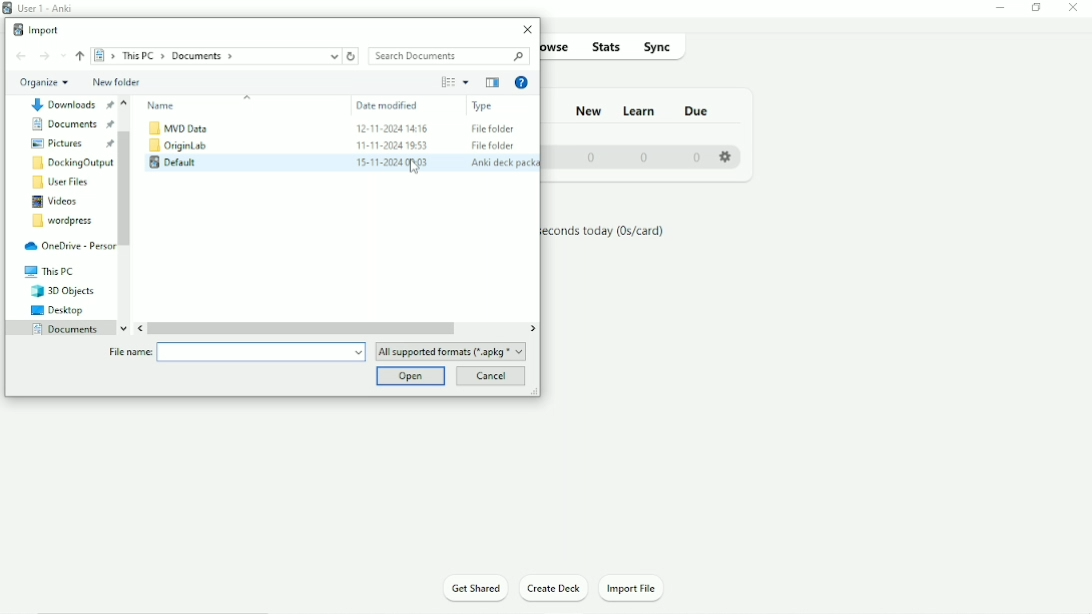 This screenshot has width=1092, height=614. What do you see at coordinates (73, 105) in the screenshot?
I see `Document` at bounding box center [73, 105].